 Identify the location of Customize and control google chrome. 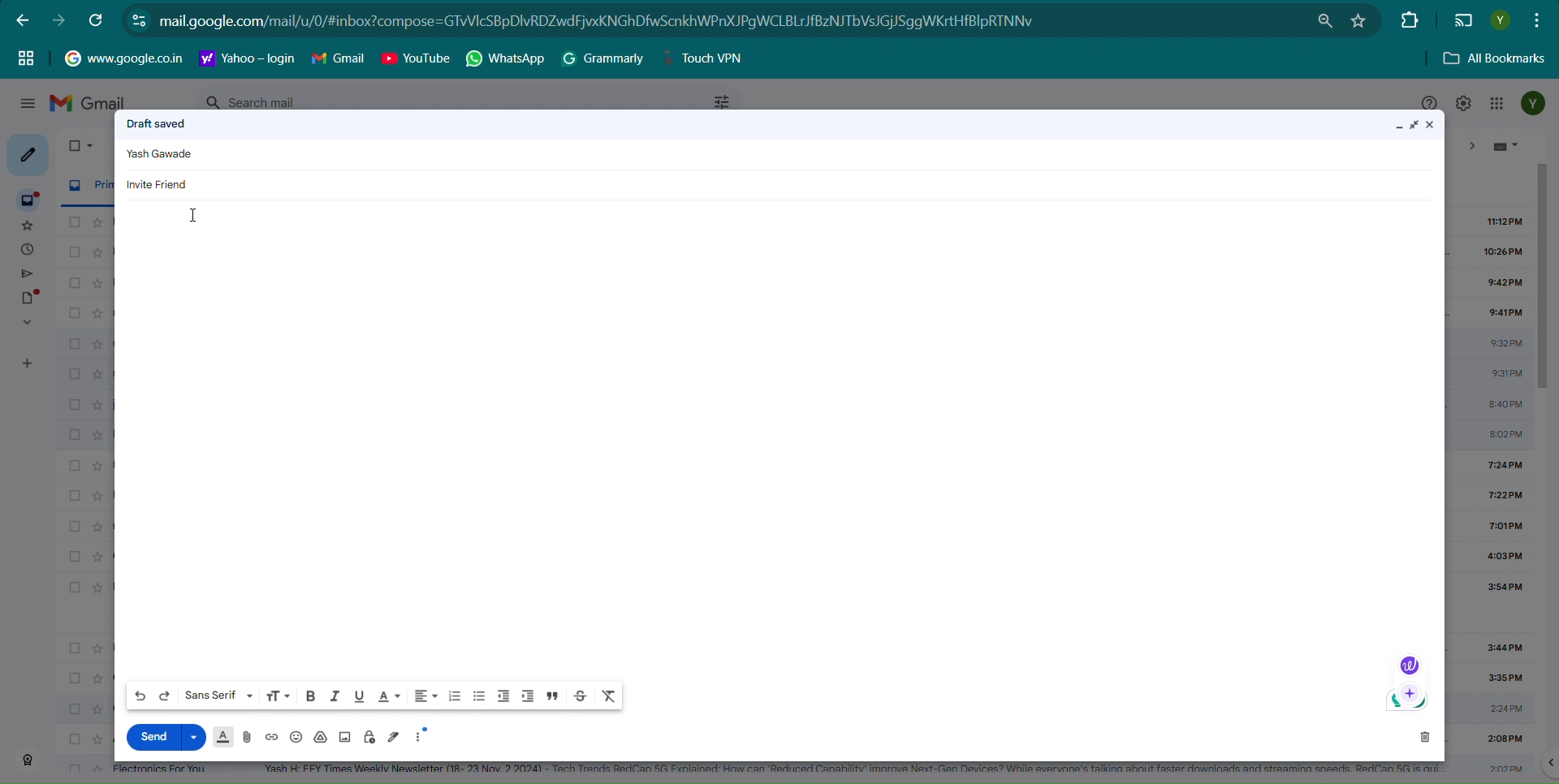
(1539, 19).